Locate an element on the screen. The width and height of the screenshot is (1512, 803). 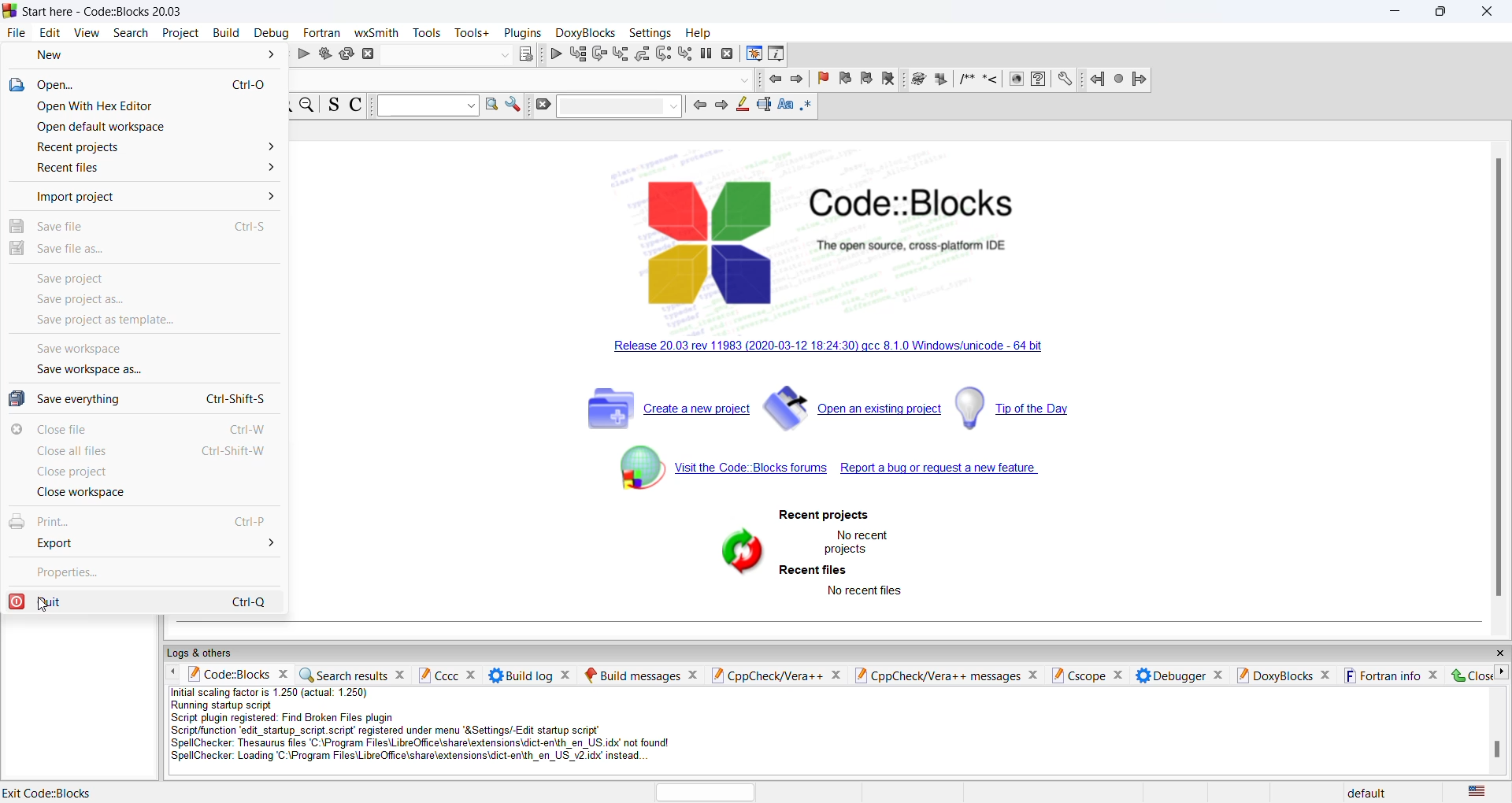
fortran is located at coordinates (319, 31).